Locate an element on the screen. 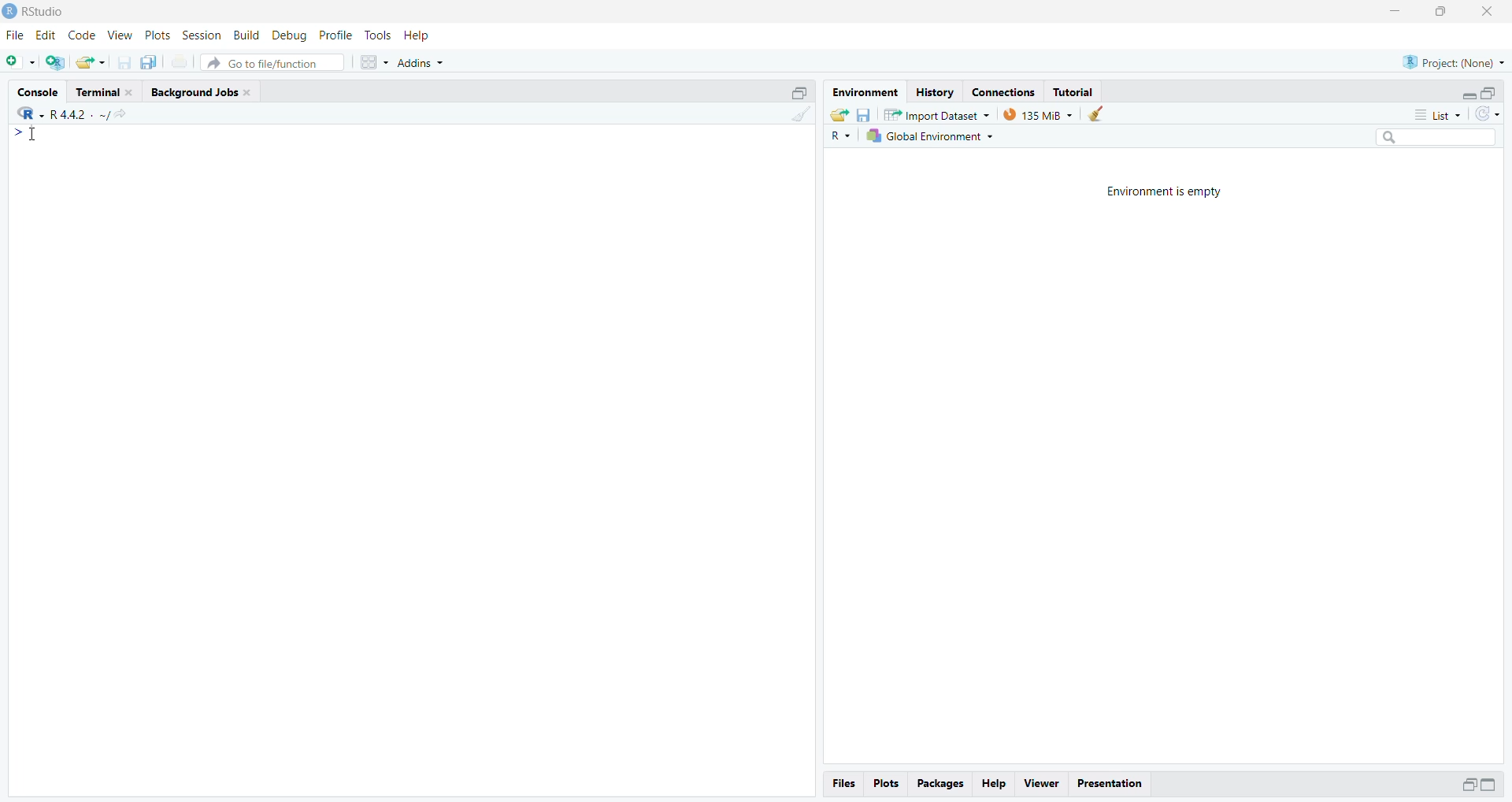  View is located at coordinates (119, 35).